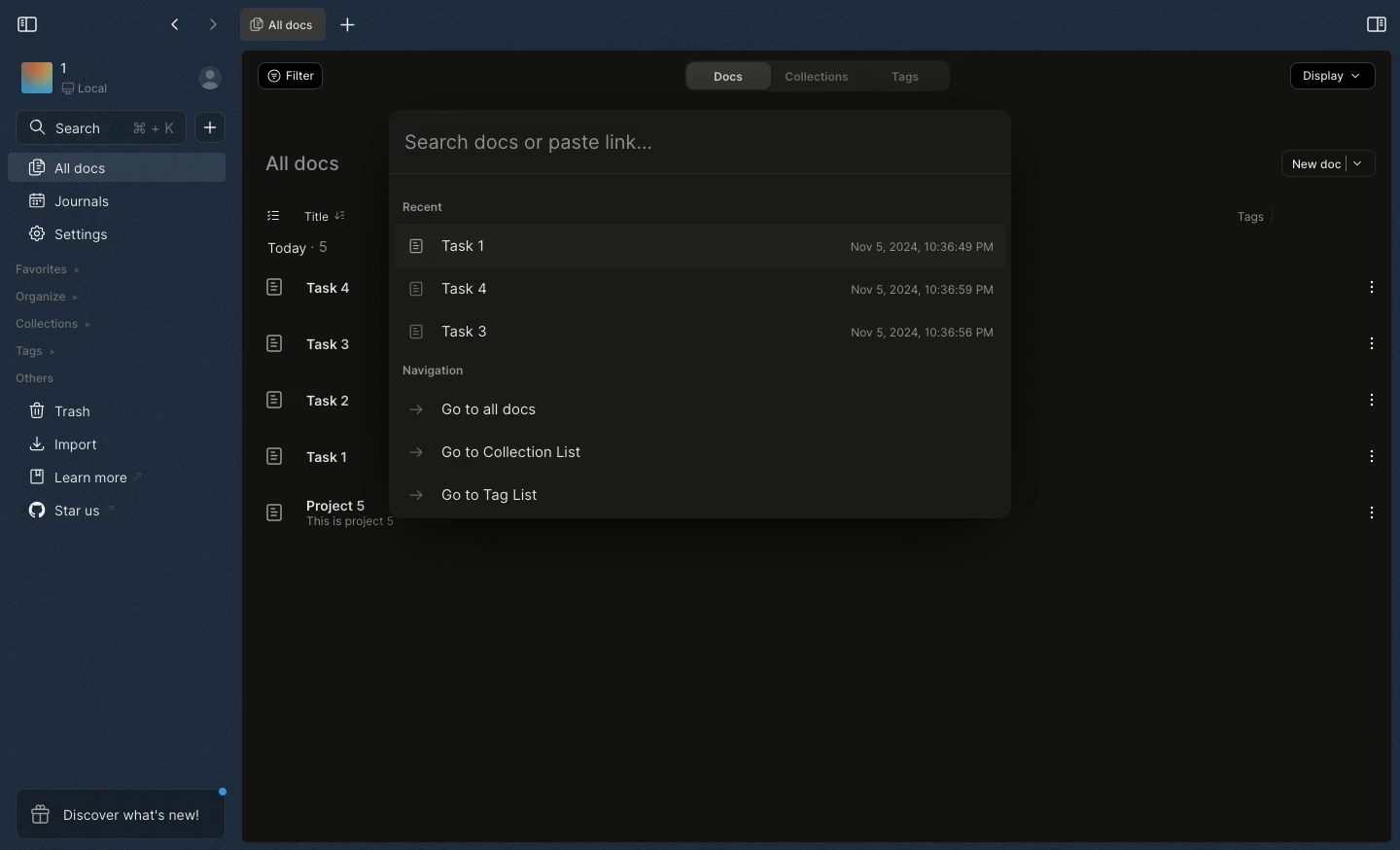 This screenshot has width=1400, height=850. Describe the element at coordinates (1377, 21) in the screenshot. I see `Expand sidebar` at that location.